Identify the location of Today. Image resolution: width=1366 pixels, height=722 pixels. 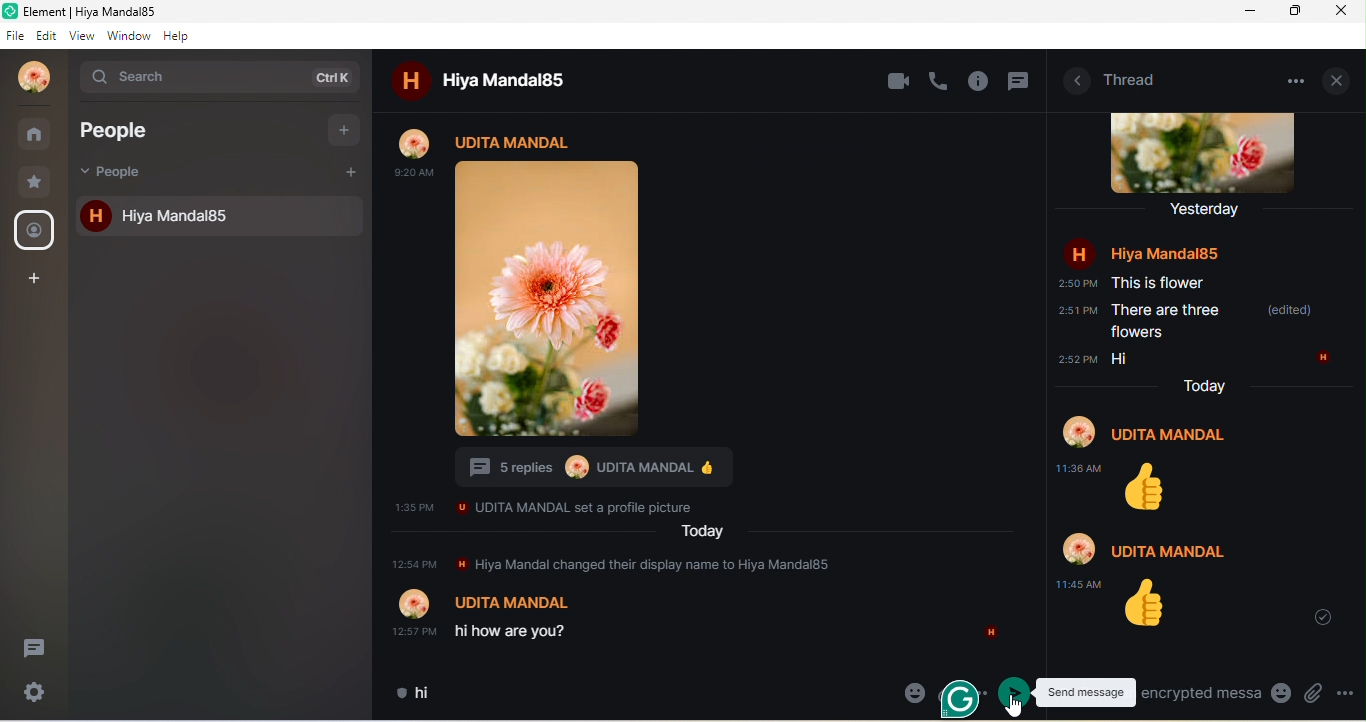
(1202, 384).